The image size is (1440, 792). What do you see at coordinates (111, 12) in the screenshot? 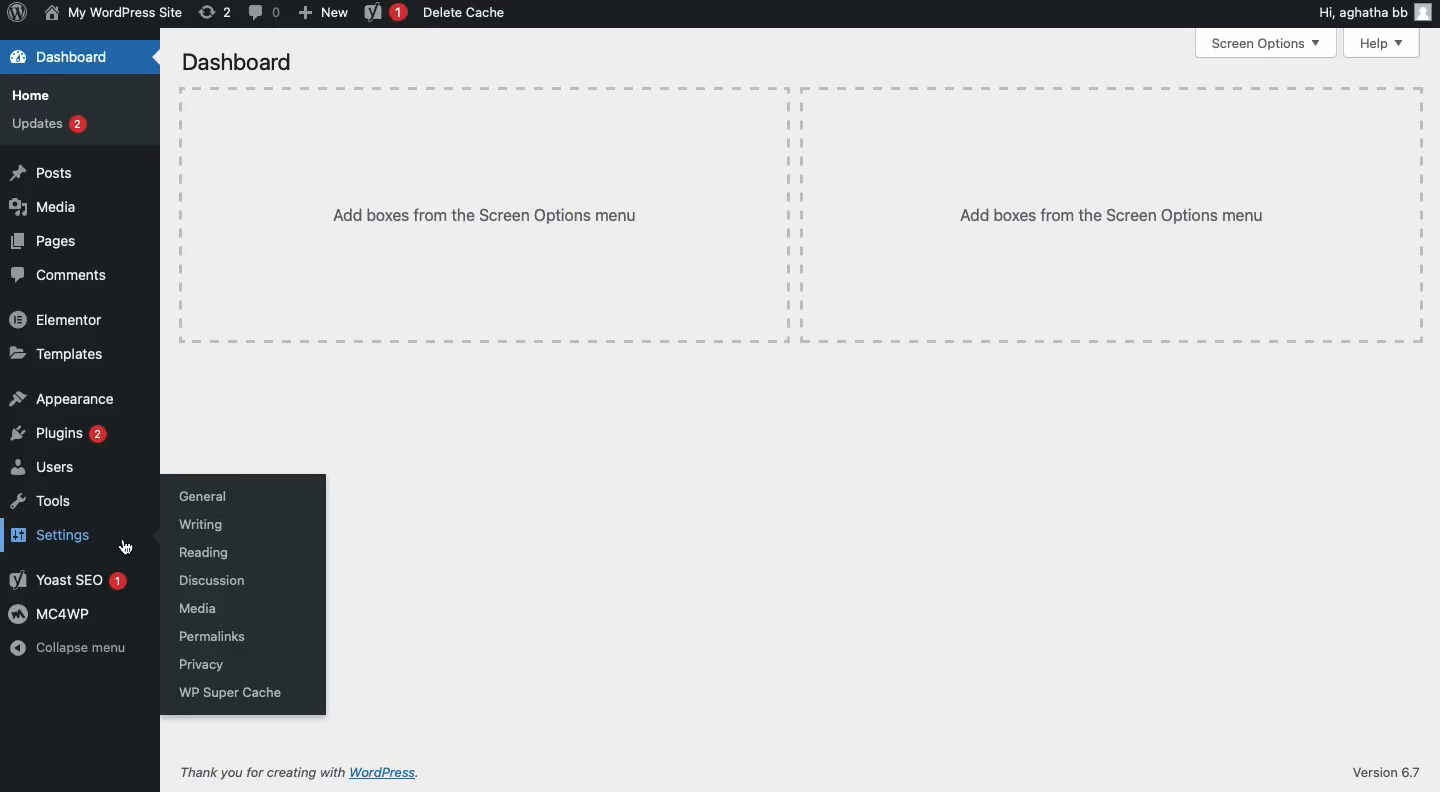
I see `My wordpress Site` at bounding box center [111, 12].